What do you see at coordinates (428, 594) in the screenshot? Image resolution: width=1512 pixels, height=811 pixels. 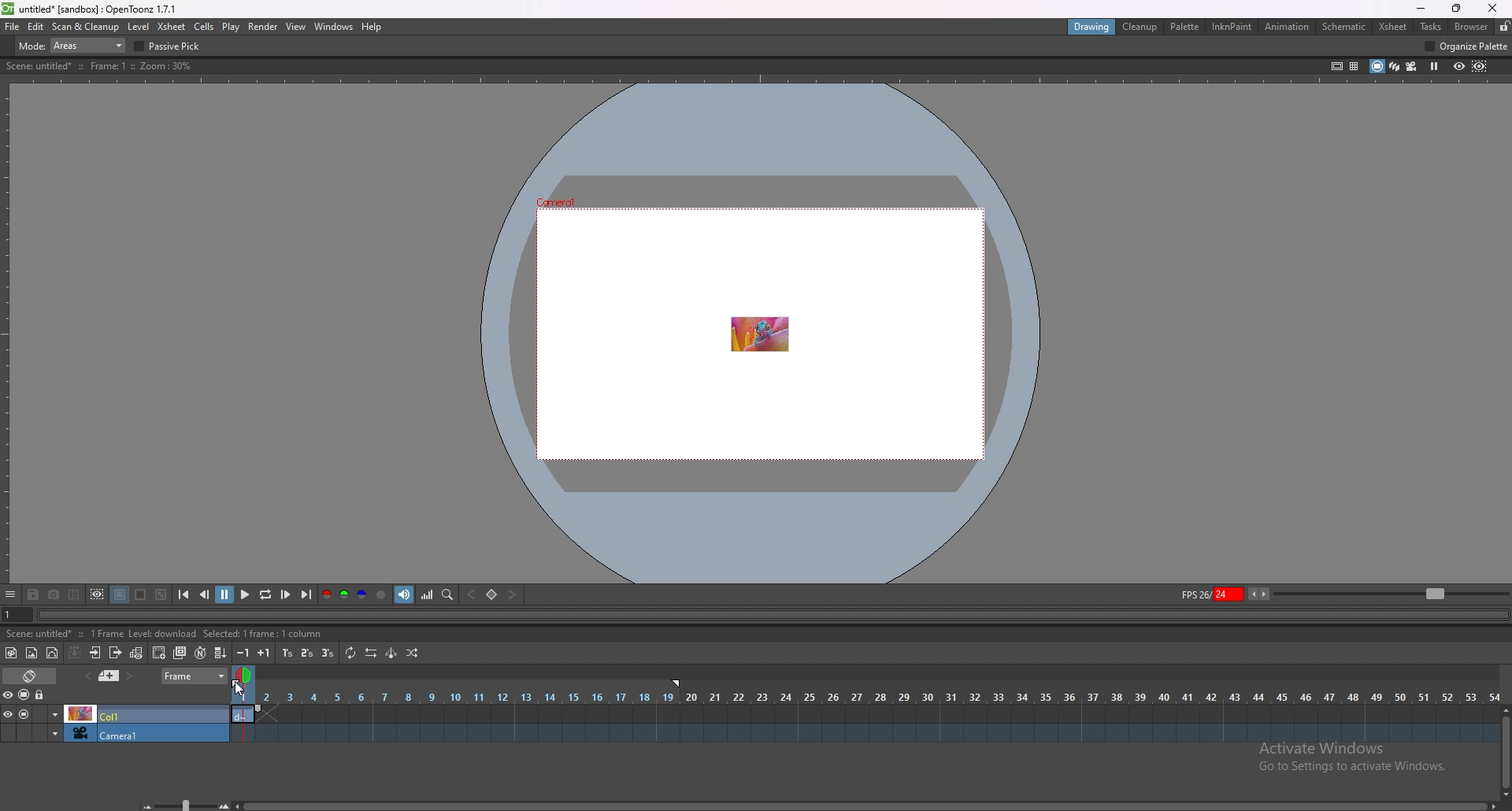 I see `histogram` at bounding box center [428, 594].